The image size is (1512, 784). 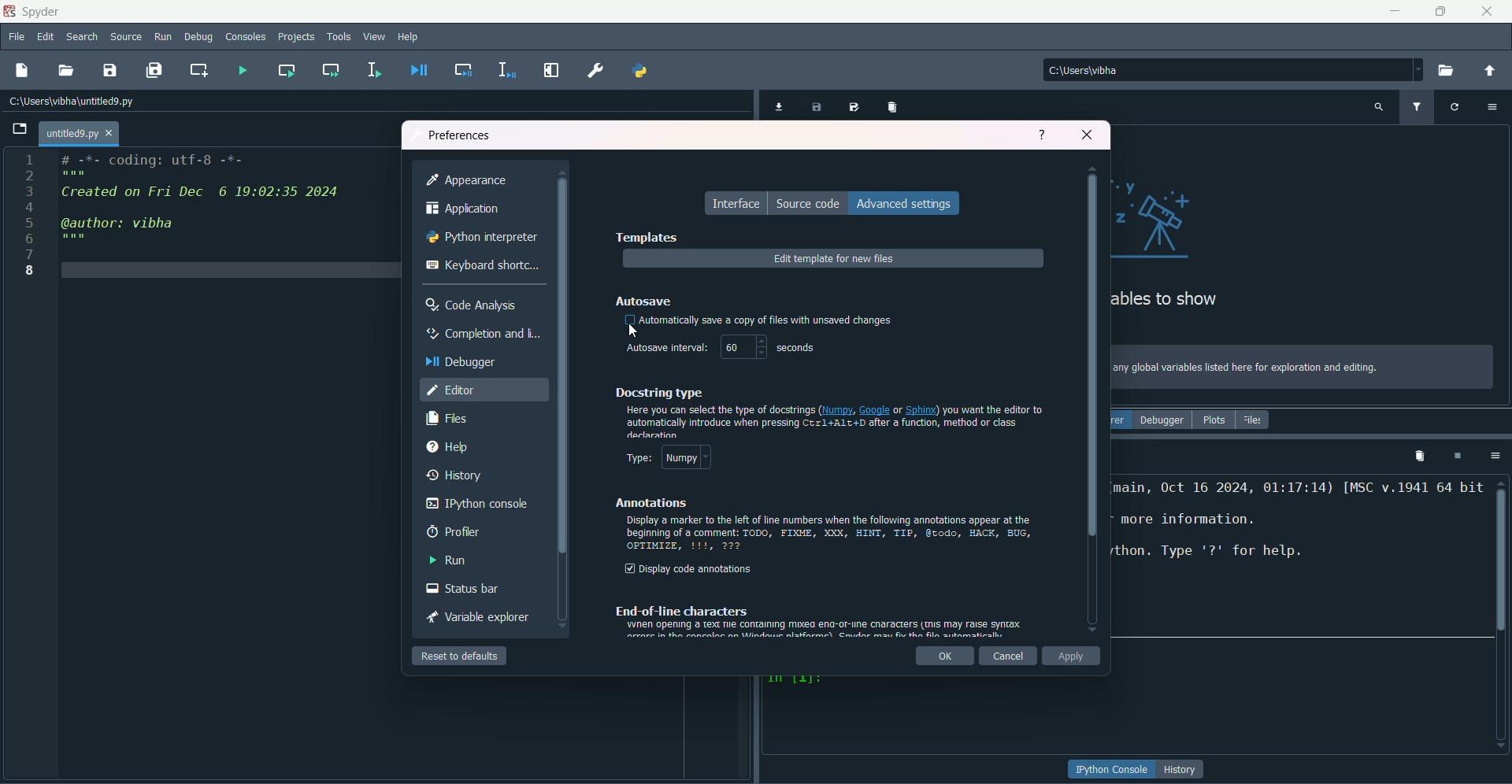 What do you see at coordinates (46, 38) in the screenshot?
I see `edit` at bounding box center [46, 38].